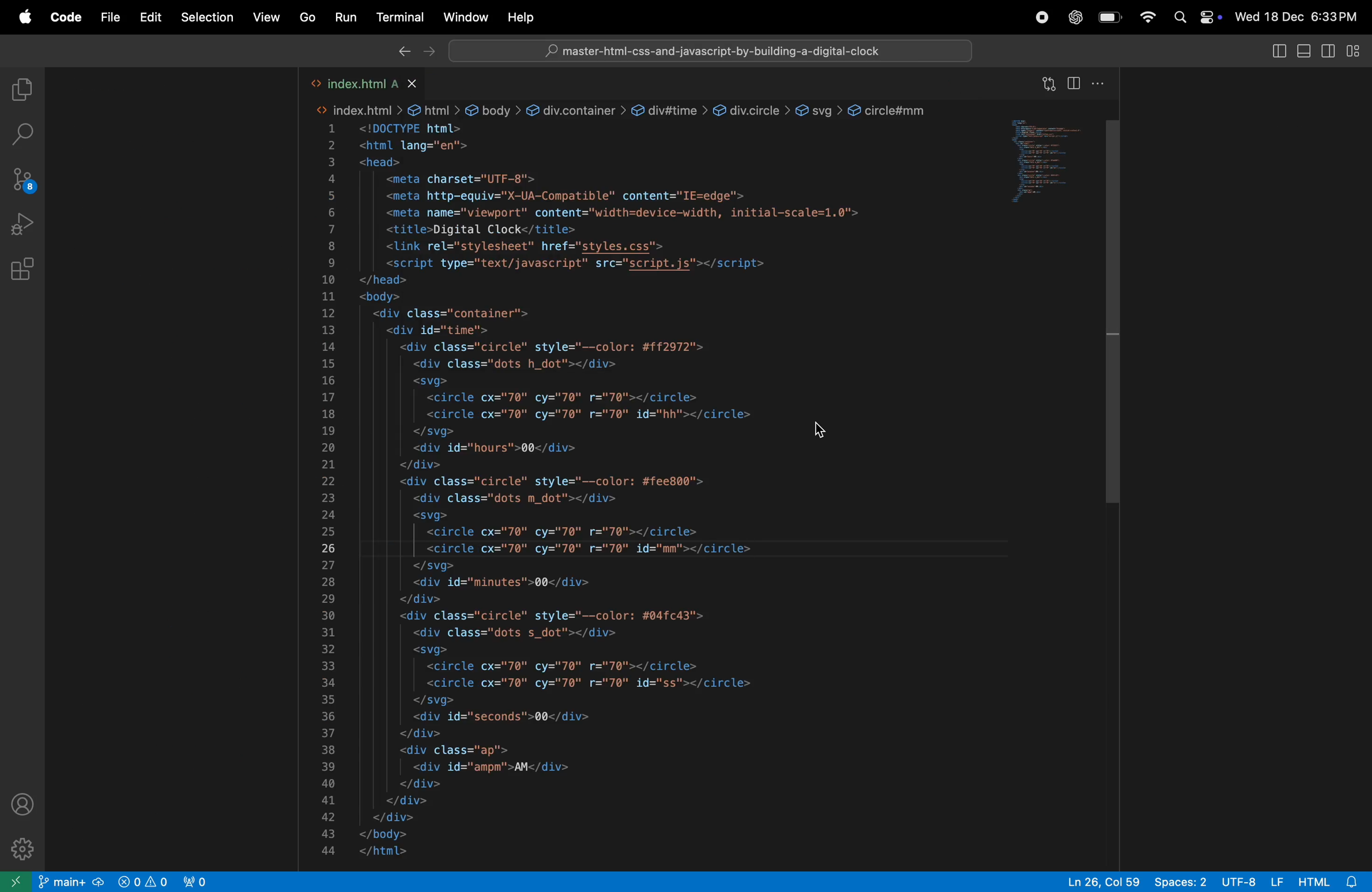 This screenshot has width=1372, height=892. I want to click on Extensions, so click(22, 269).